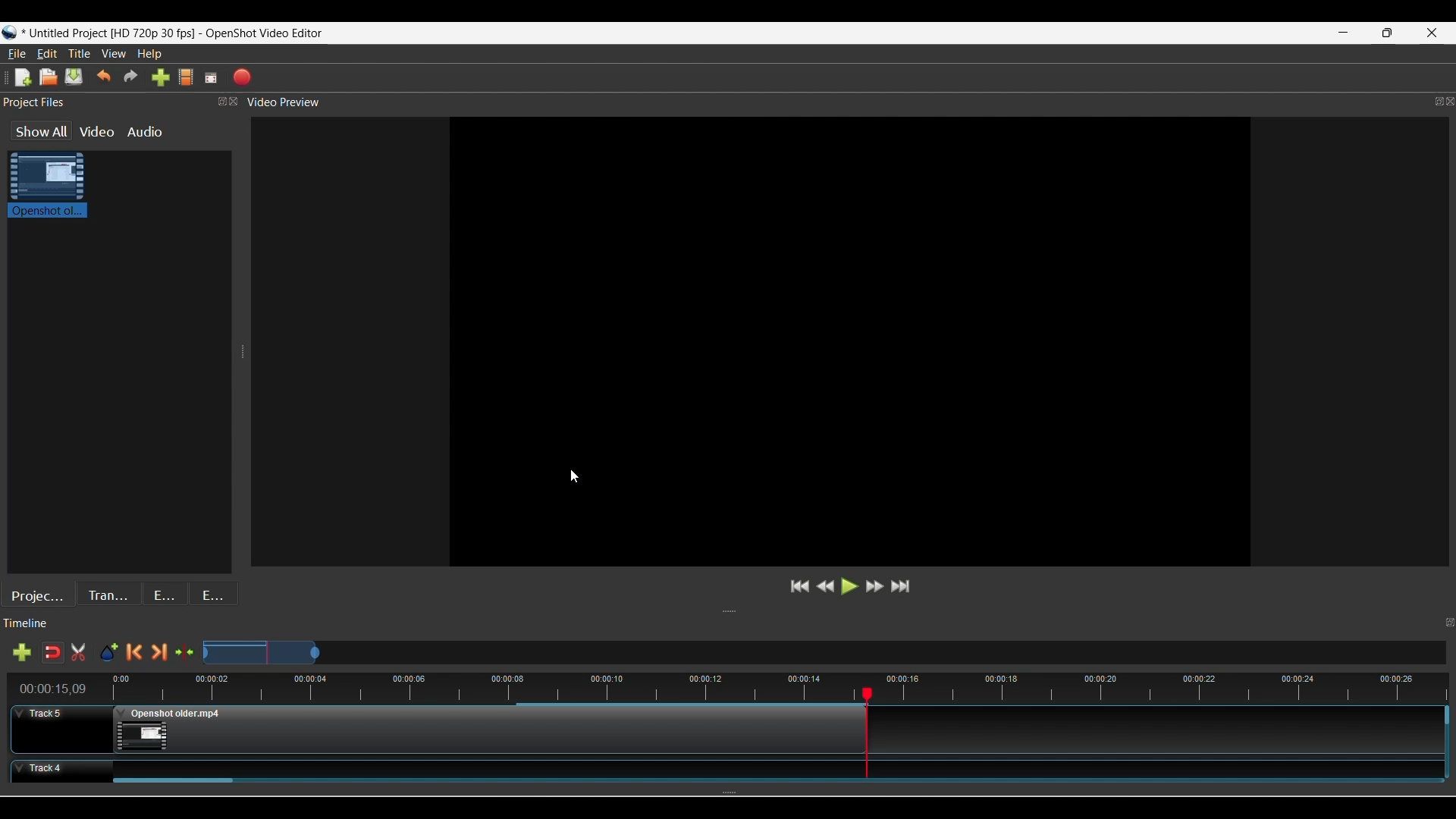 This screenshot has width=1456, height=819. What do you see at coordinates (184, 652) in the screenshot?
I see `Center the timeline on the playhead` at bounding box center [184, 652].